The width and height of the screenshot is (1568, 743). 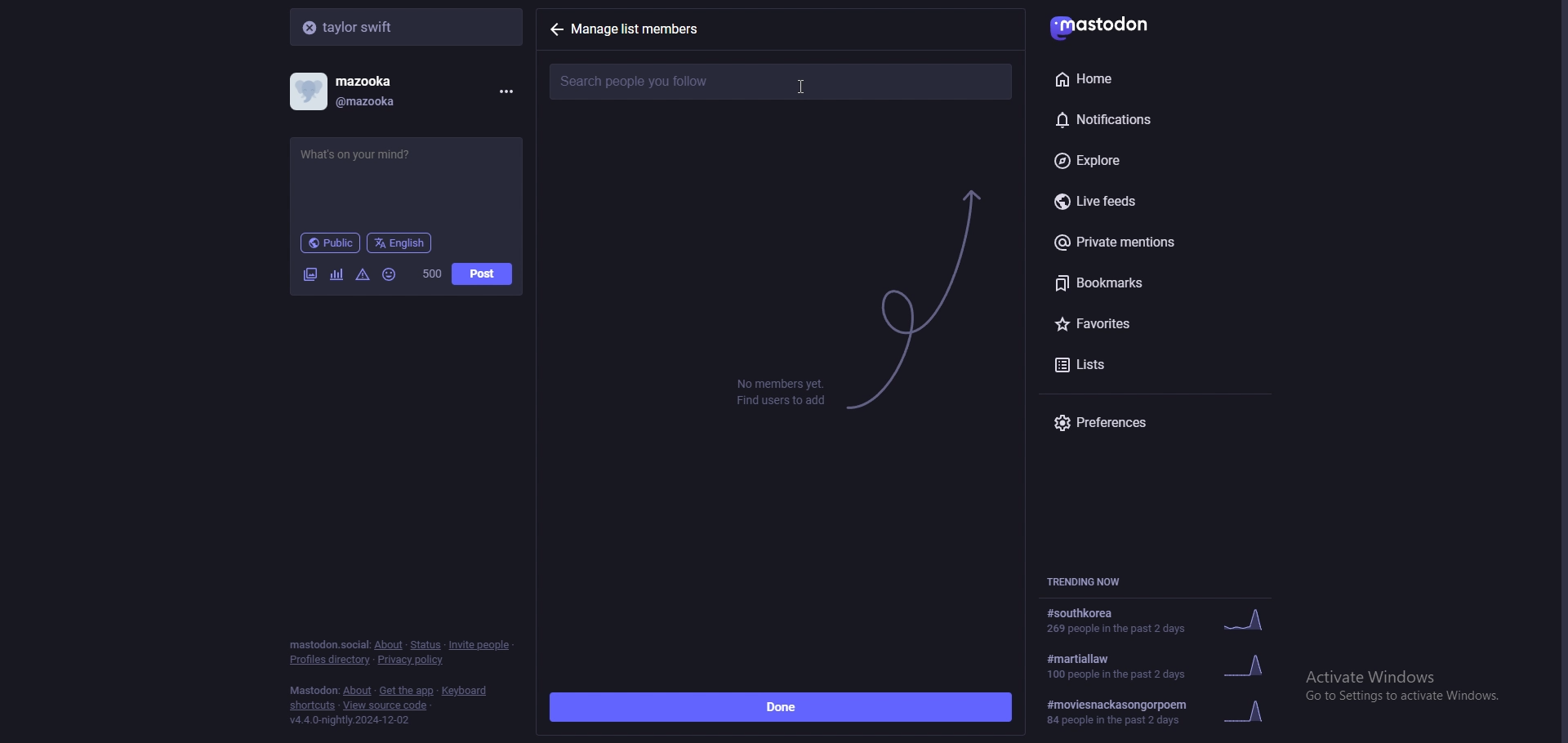 What do you see at coordinates (644, 29) in the screenshot?
I see `manage list members` at bounding box center [644, 29].